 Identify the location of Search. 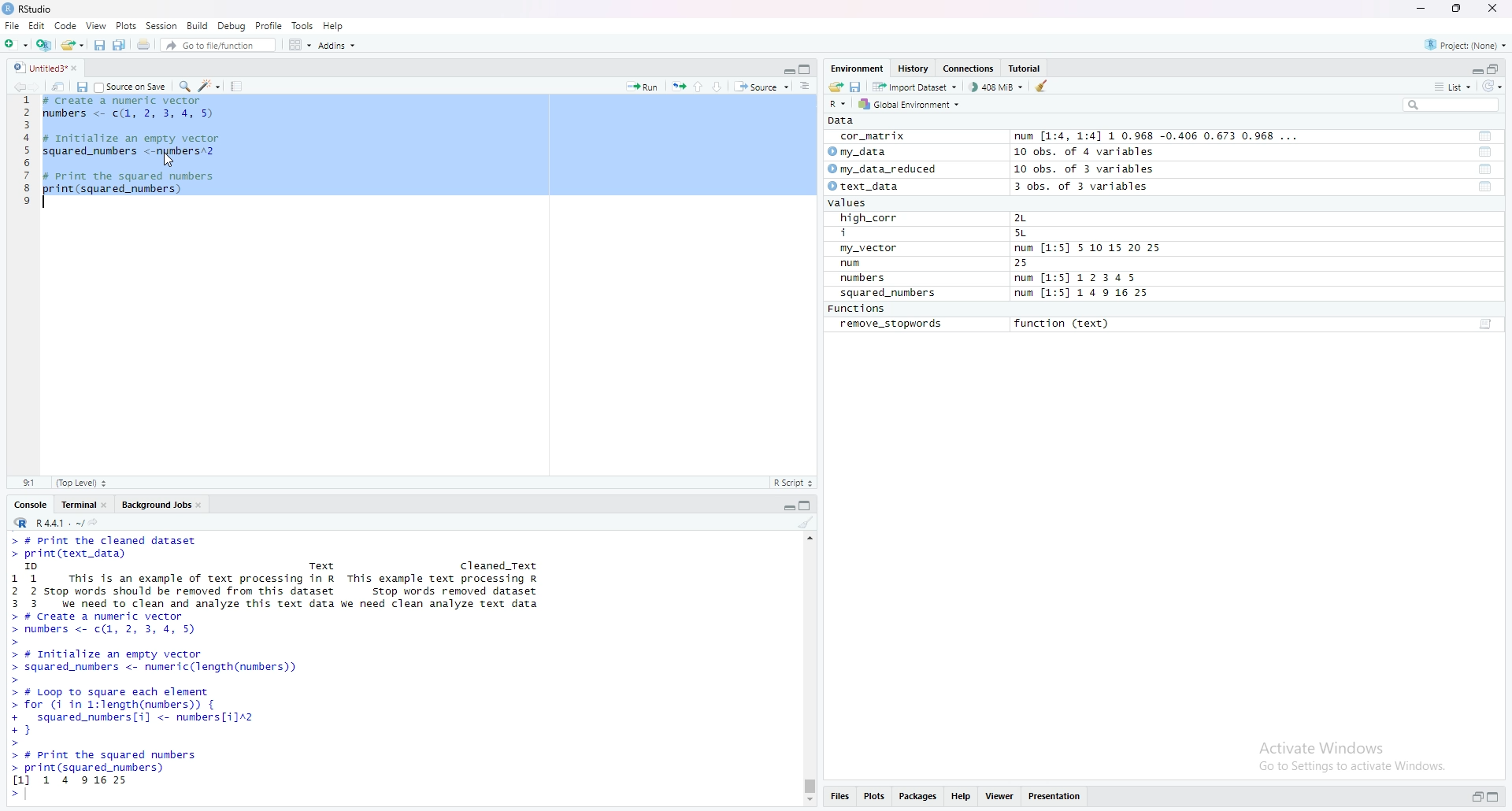
(1451, 105).